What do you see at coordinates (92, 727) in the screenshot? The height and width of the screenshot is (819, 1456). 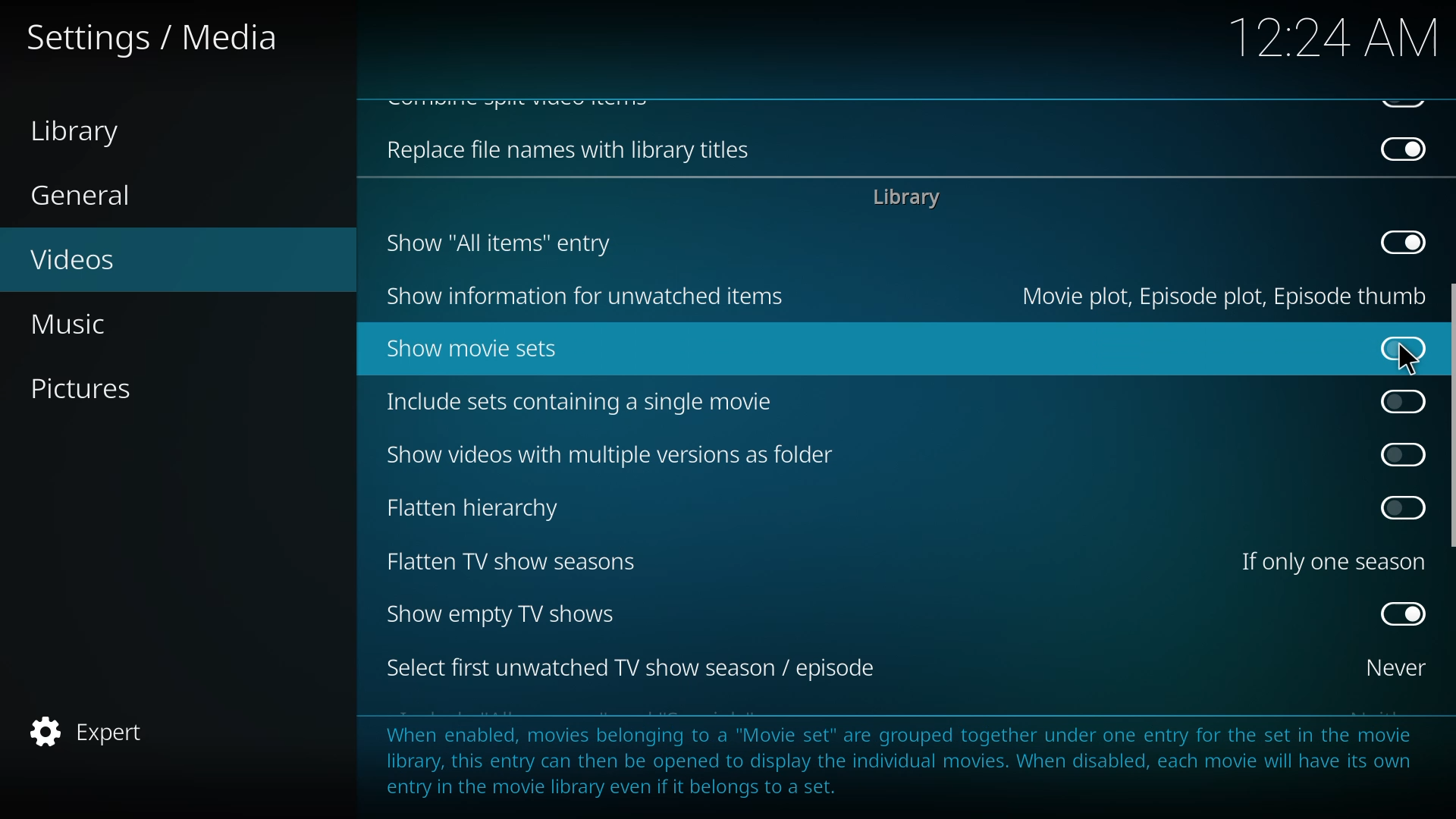 I see `expert` at bounding box center [92, 727].